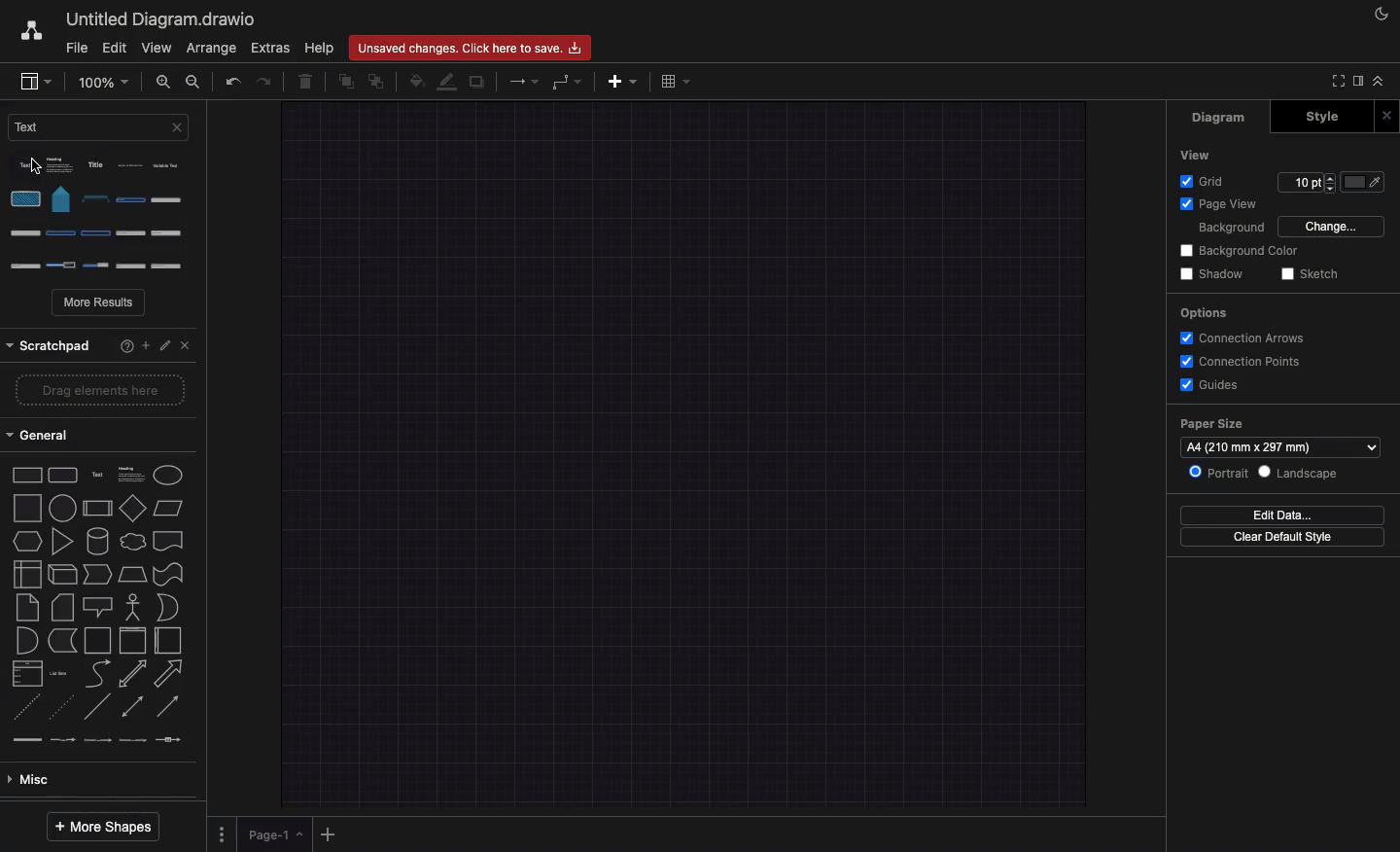 This screenshot has height=852, width=1400. I want to click on Collapse, so click(1383, 83).